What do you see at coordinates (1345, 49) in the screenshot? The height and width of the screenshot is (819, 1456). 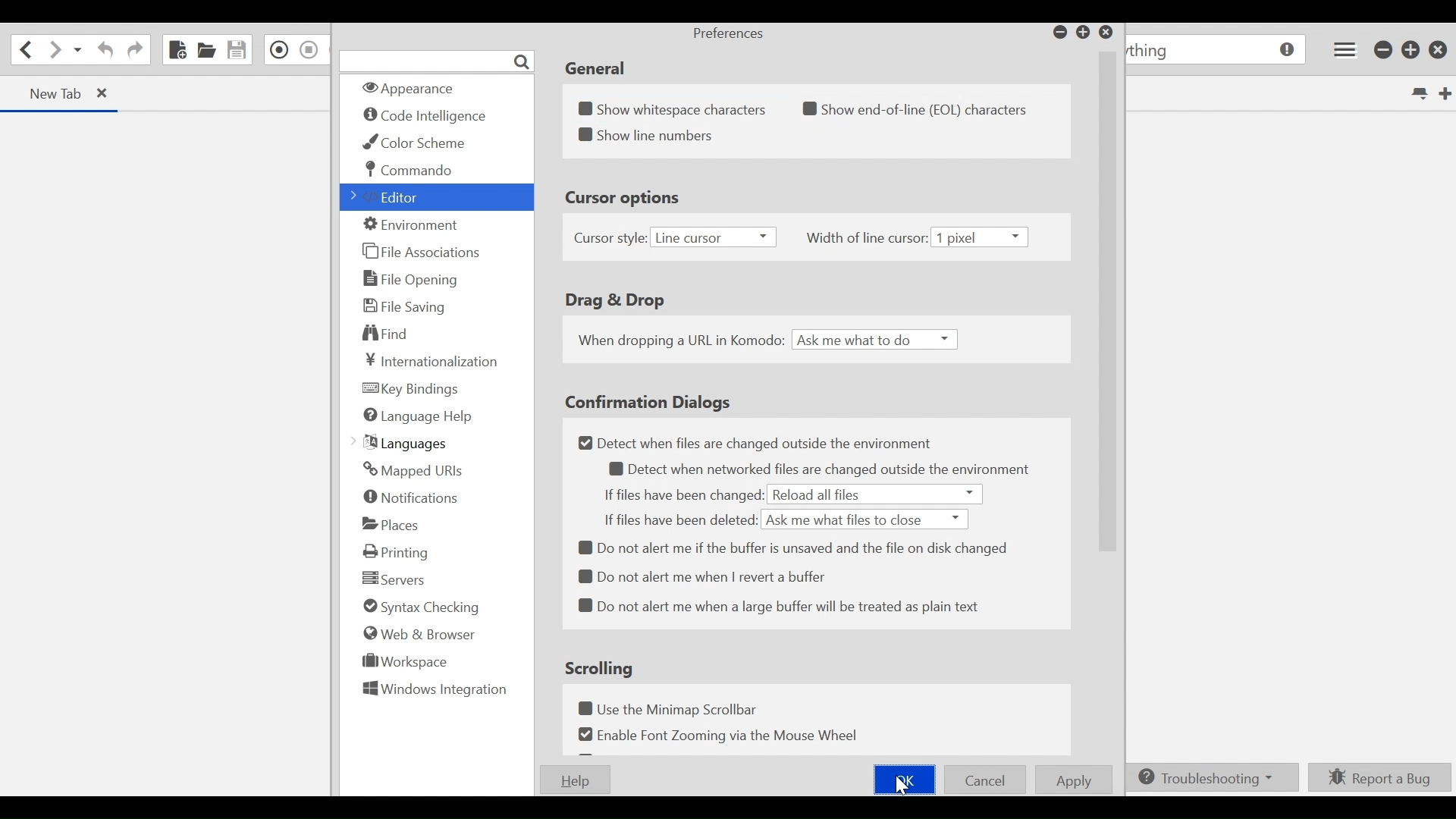 I see `Application menu` at bounding box center [1345, 49].